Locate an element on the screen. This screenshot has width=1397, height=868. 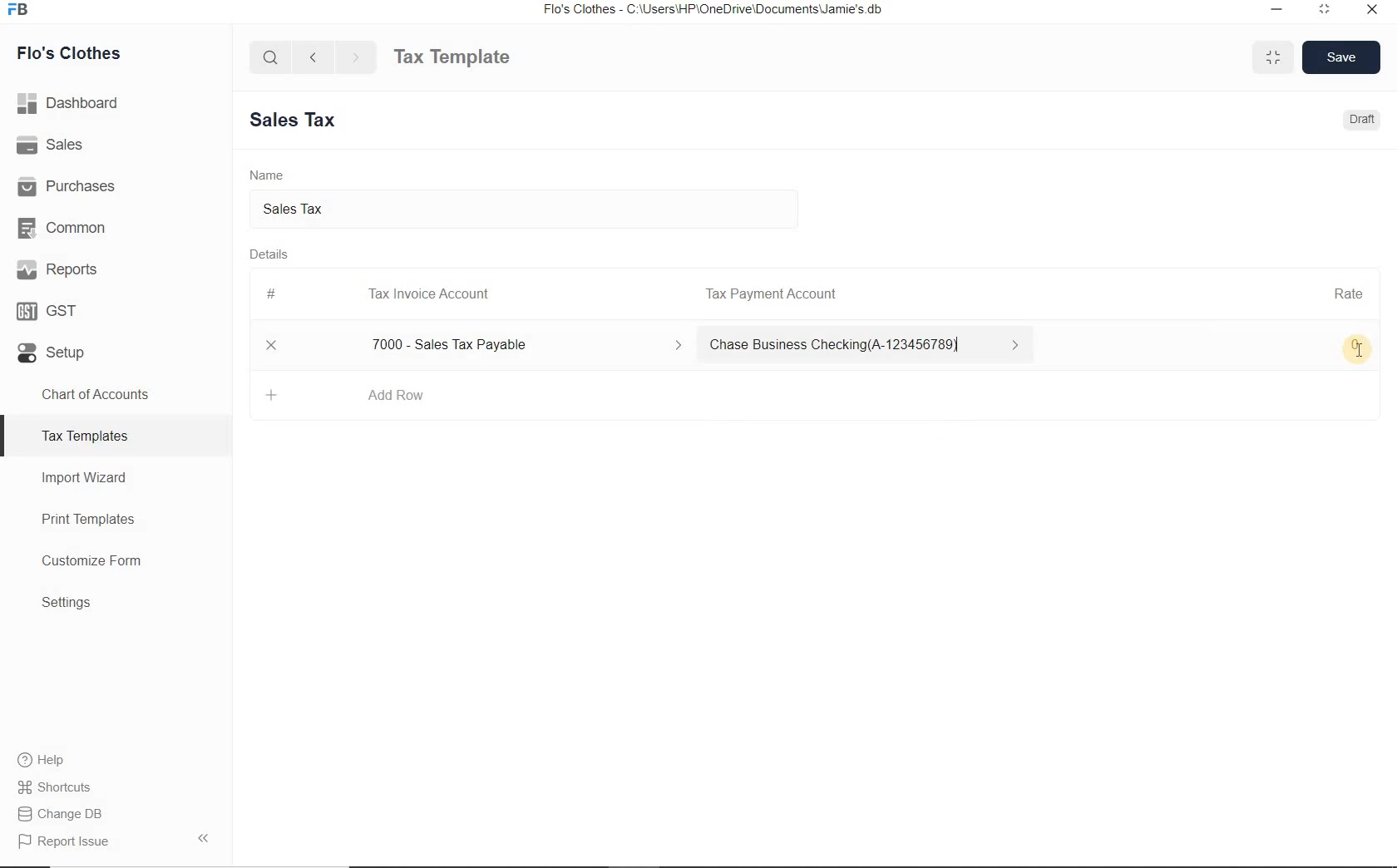
Report Issue is located at coordinates (116, 841).